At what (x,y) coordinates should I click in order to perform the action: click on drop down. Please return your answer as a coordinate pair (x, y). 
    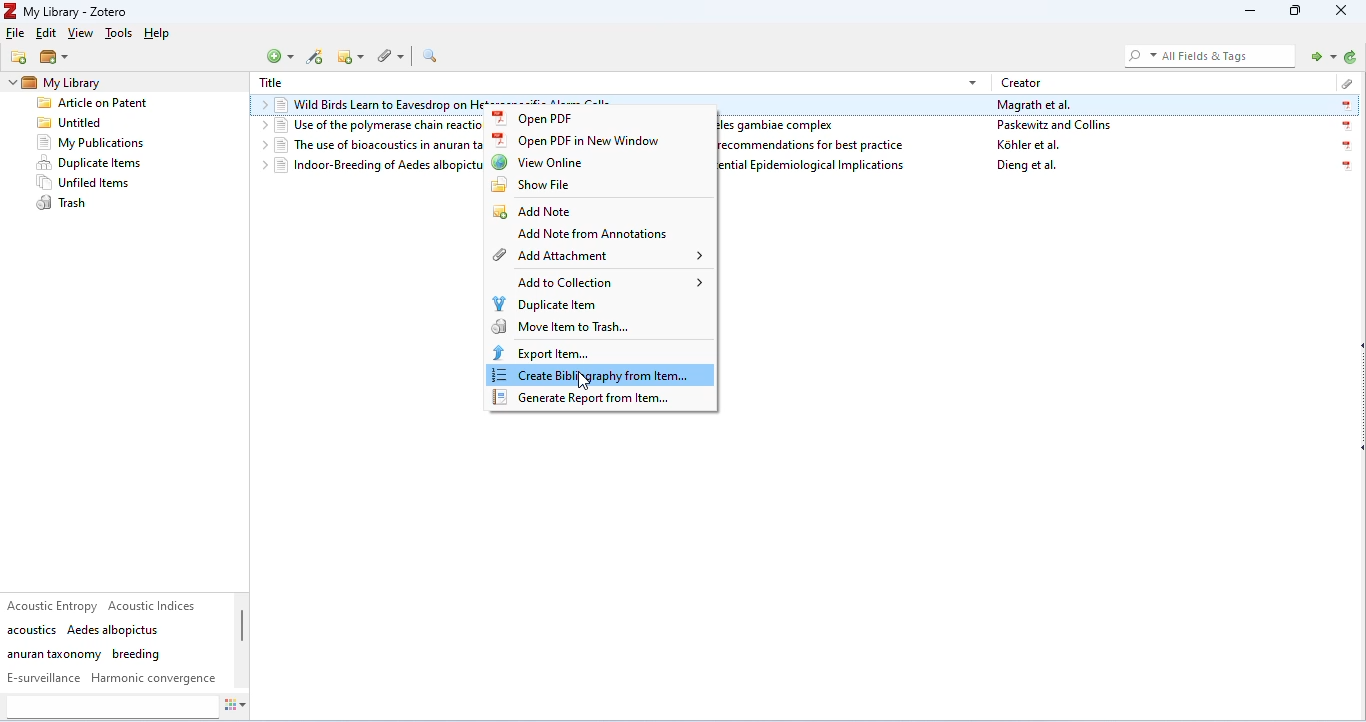
    Looking at the image, I should click on (260, 166).